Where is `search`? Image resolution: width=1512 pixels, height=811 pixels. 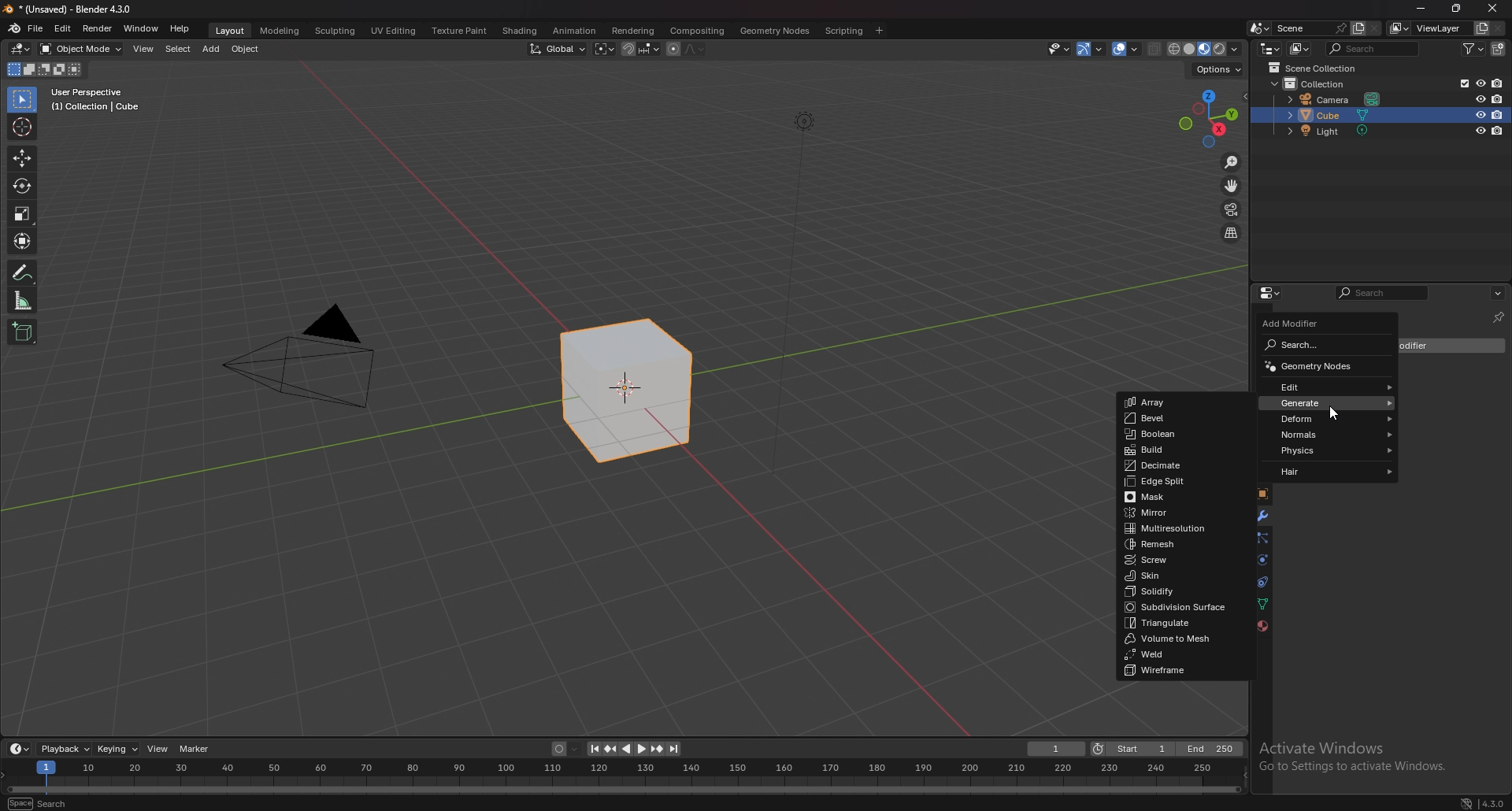 search is located at coordinates (1325, 343).